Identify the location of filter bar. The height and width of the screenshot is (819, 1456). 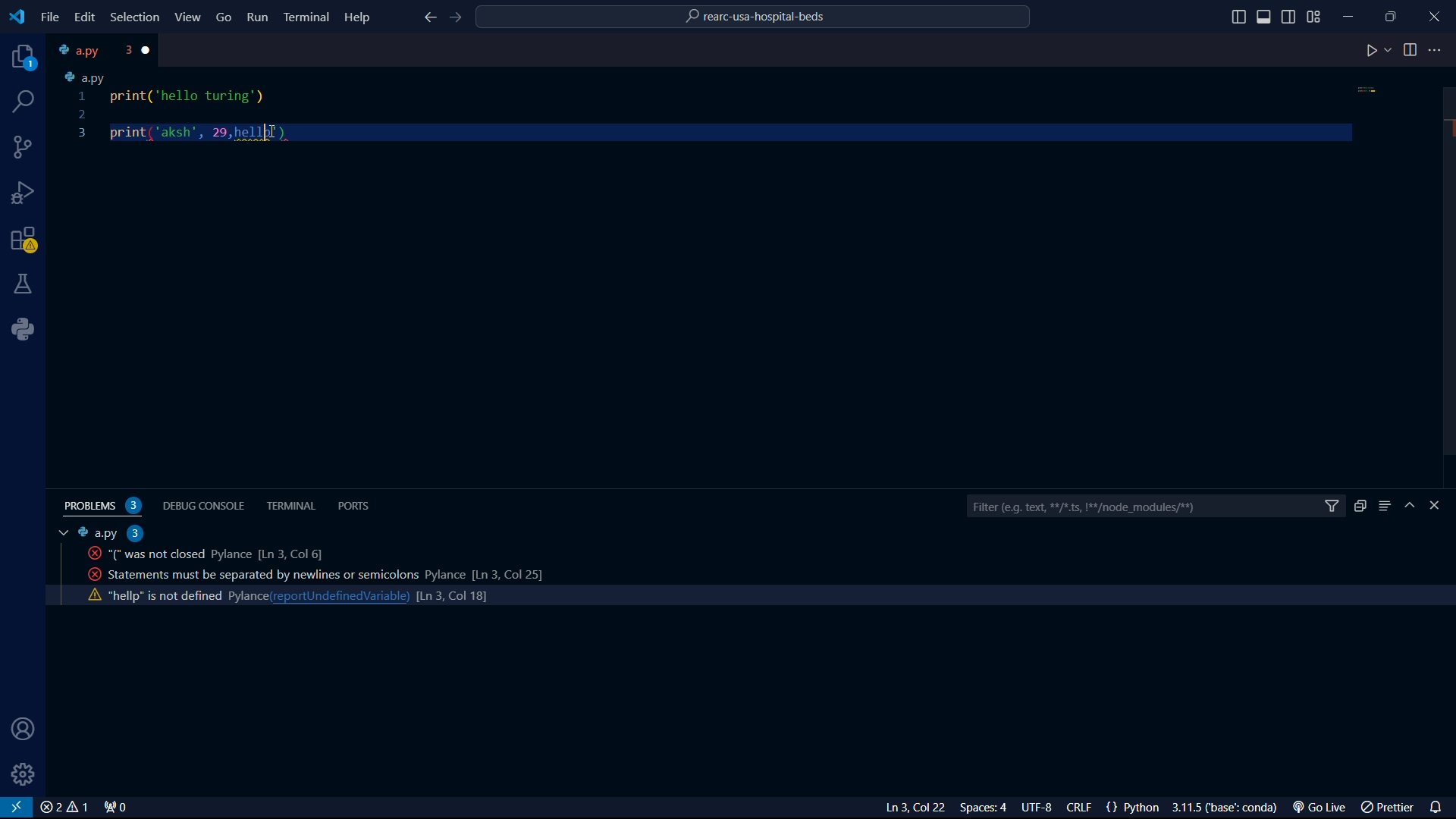
(1155, 507).